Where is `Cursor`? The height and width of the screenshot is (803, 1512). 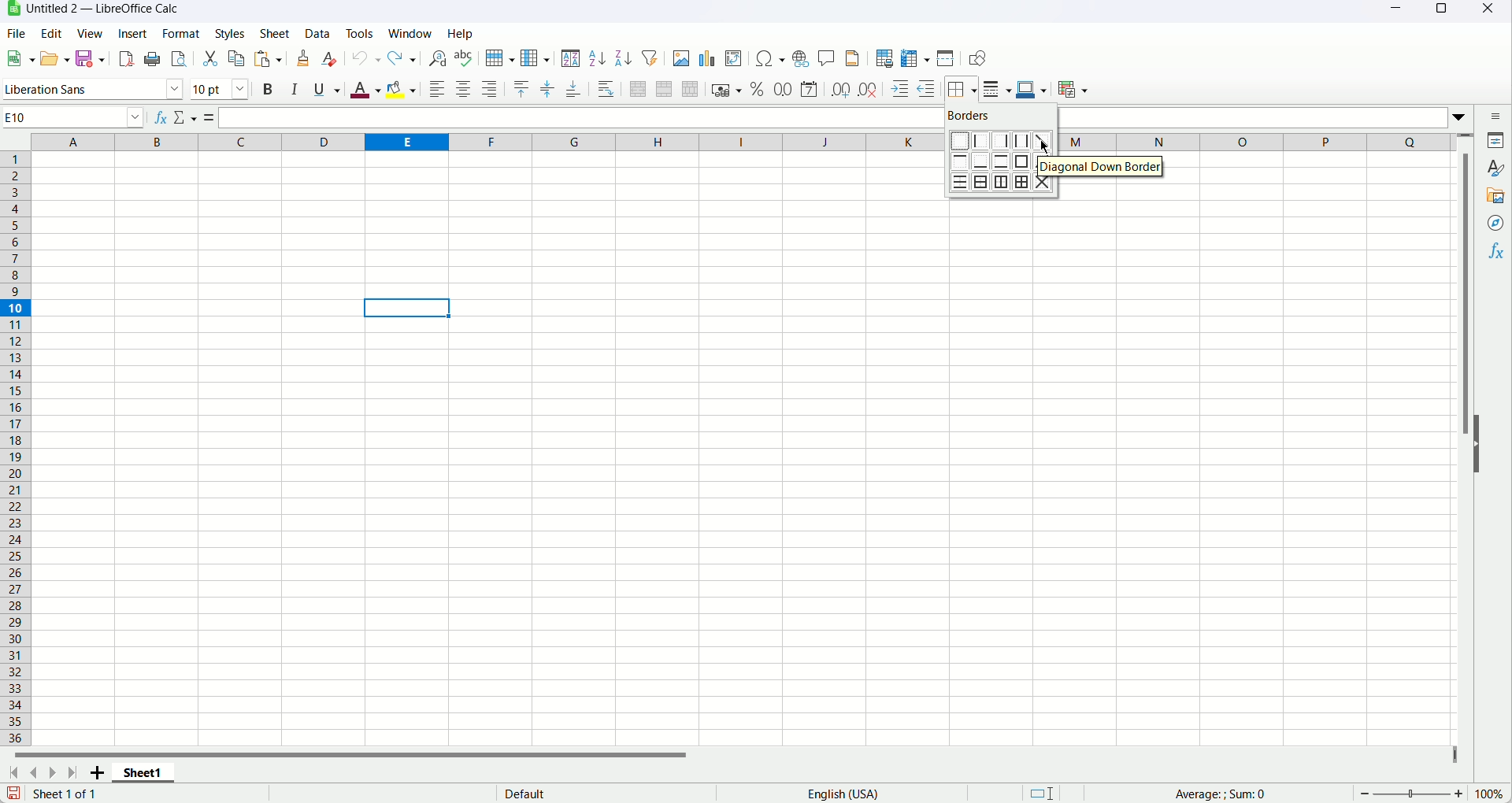 Cursor is located at coordinates (1047, 146).